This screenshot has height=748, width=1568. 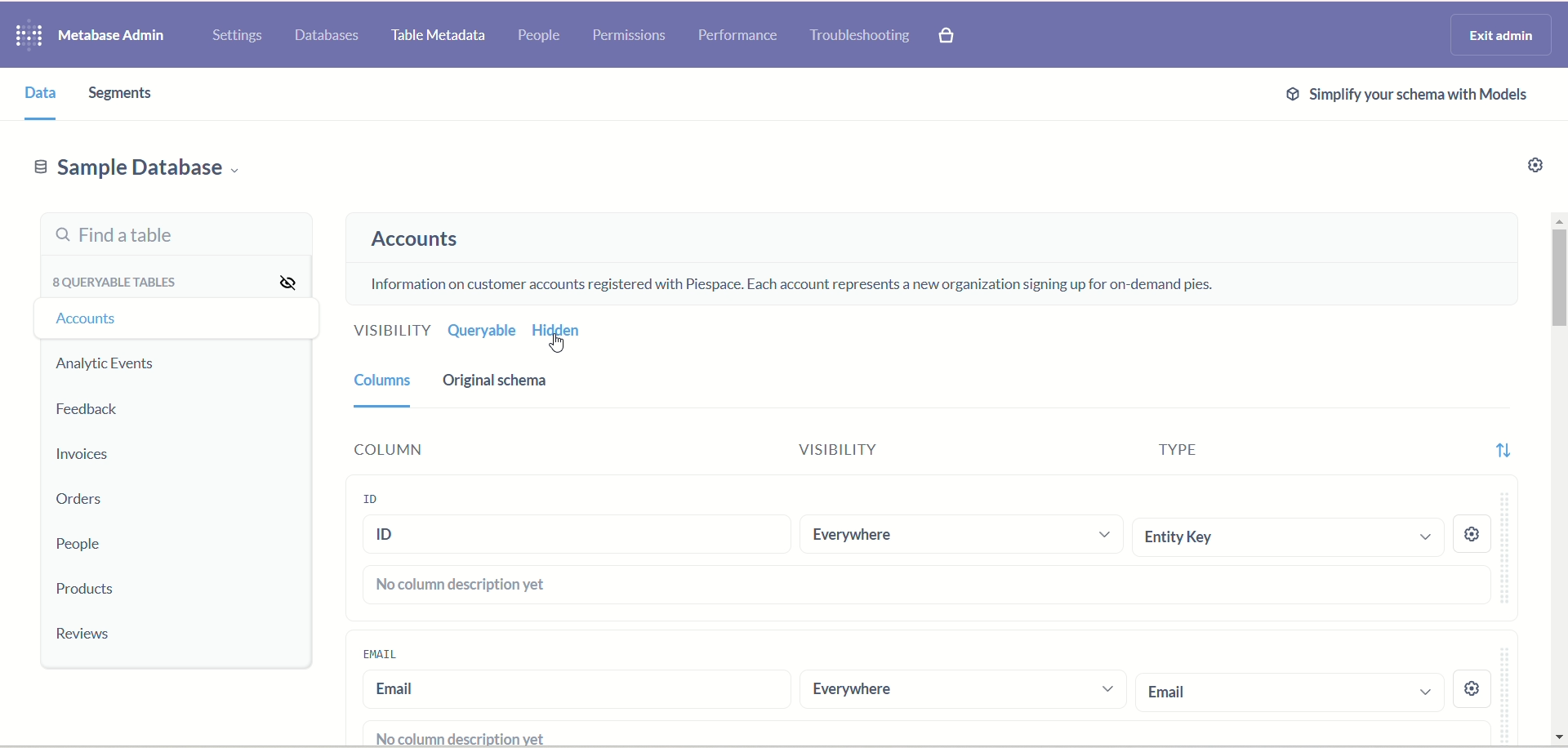 What do you see at coordinates (1496, 456) in the screenshot?
I see `sort` at bounding box center [1496, 456].